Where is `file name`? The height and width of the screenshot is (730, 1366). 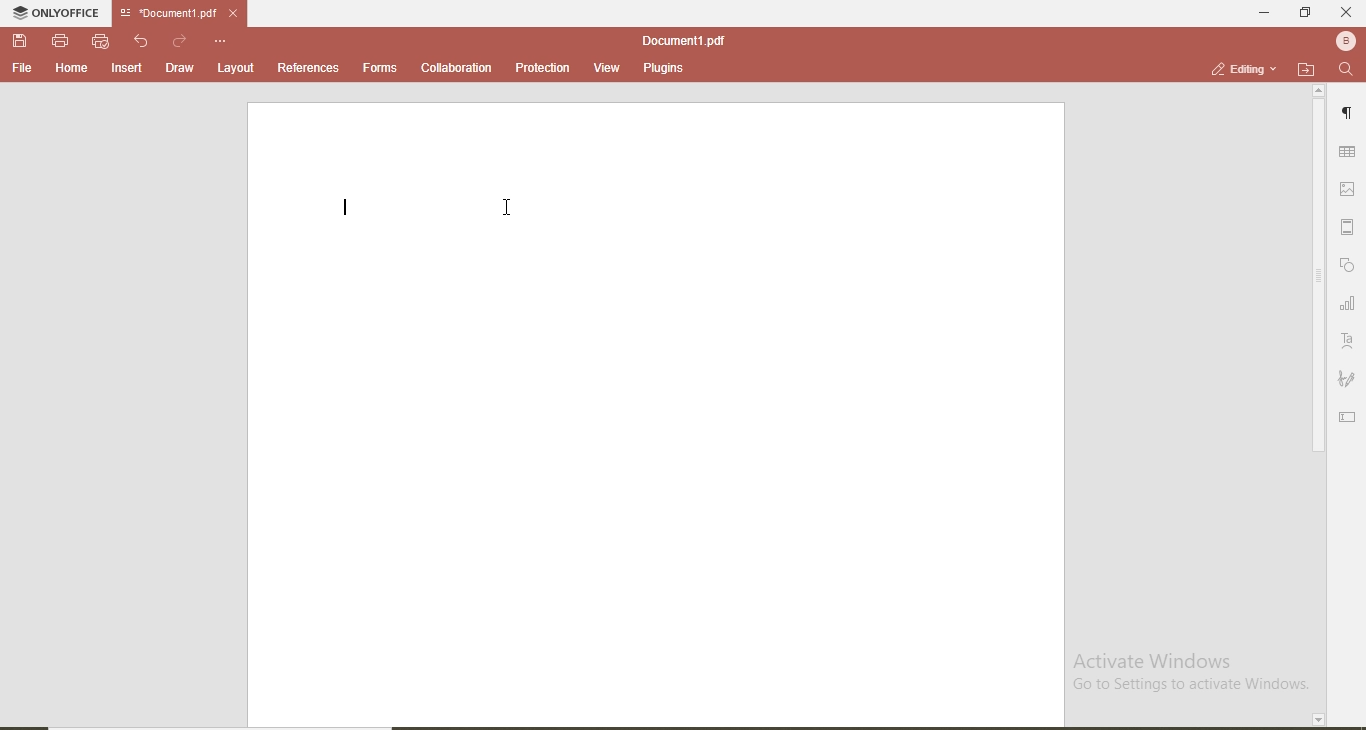
file name is located at coordinates (682, 37).